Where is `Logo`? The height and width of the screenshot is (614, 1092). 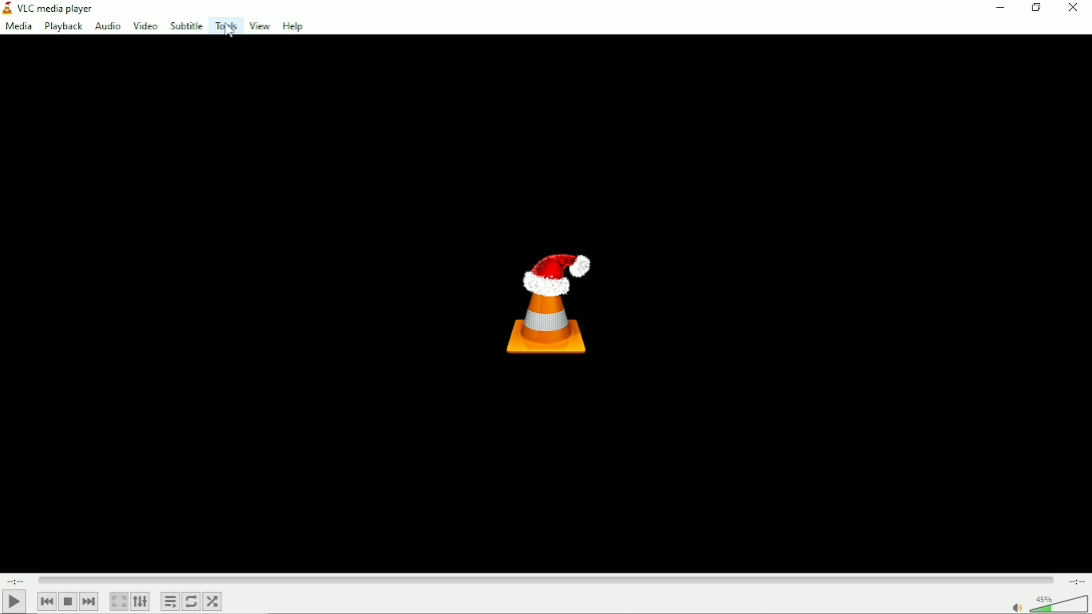
Logo is located at coordinates (550, 302).